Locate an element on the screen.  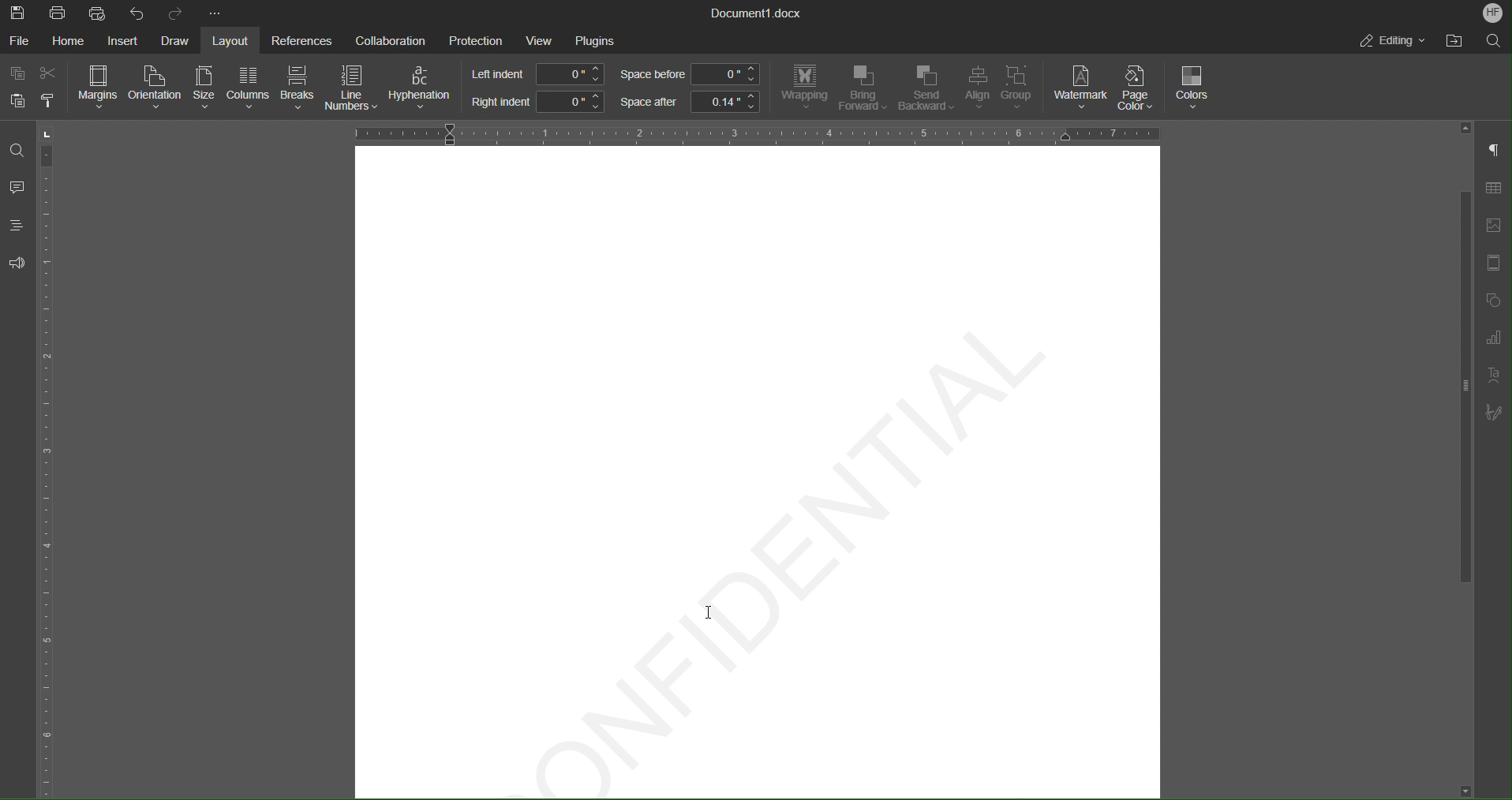
View is located at coordinates (541, 40).